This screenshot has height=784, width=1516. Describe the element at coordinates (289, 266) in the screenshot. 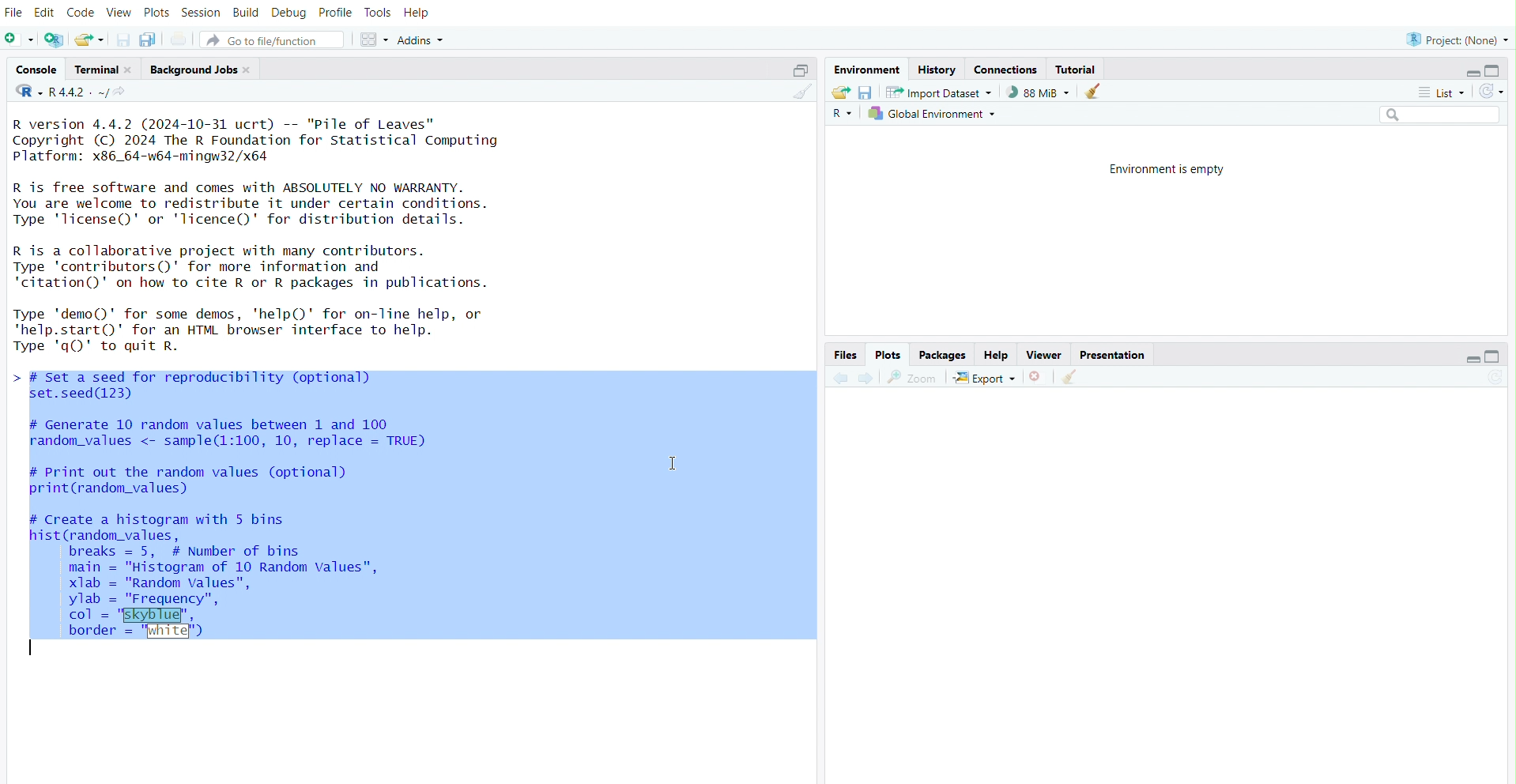

I see `details of contributors` at that location.